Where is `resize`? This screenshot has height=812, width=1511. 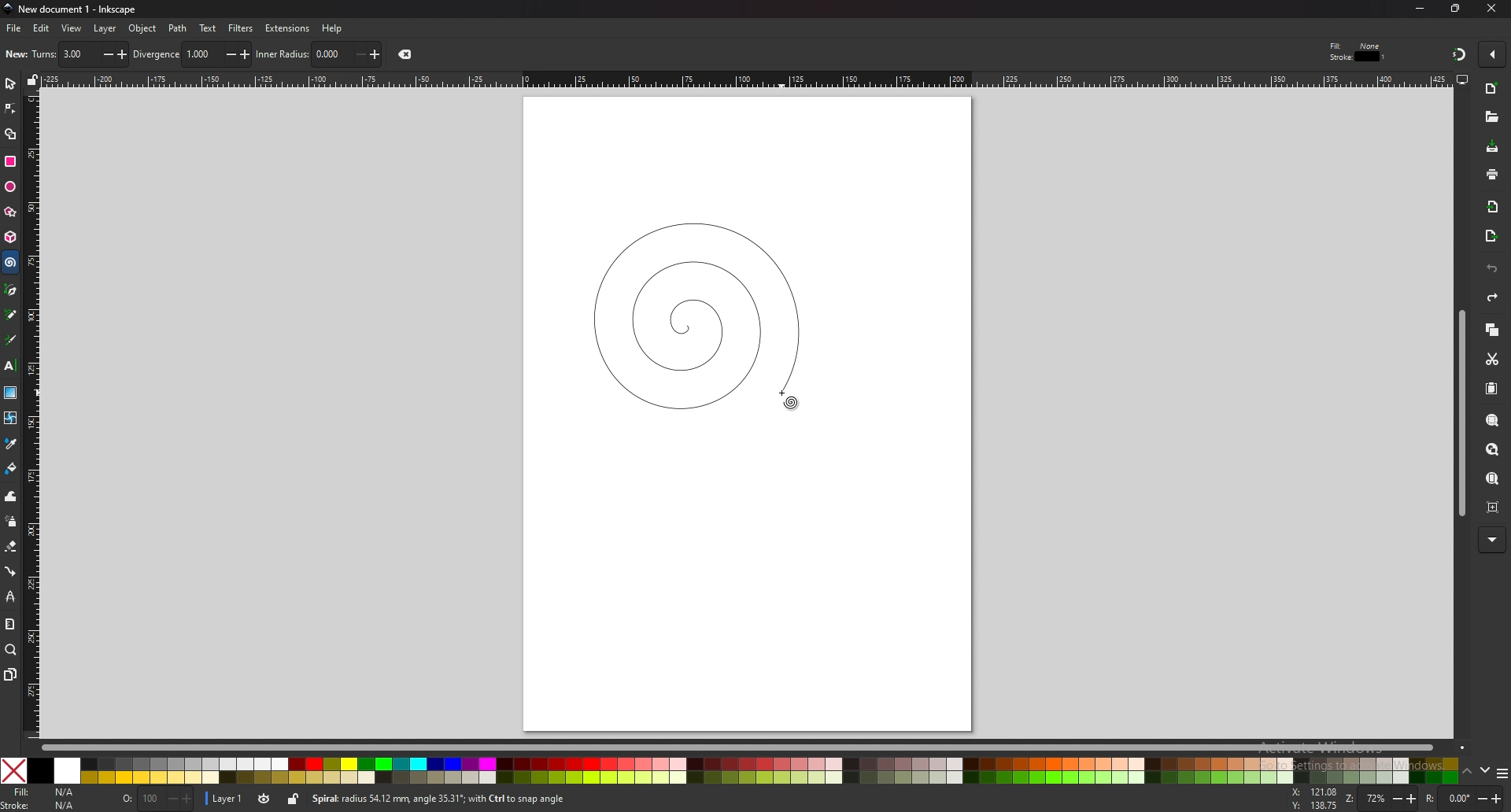 resize is located at coordinates (1456, 9).